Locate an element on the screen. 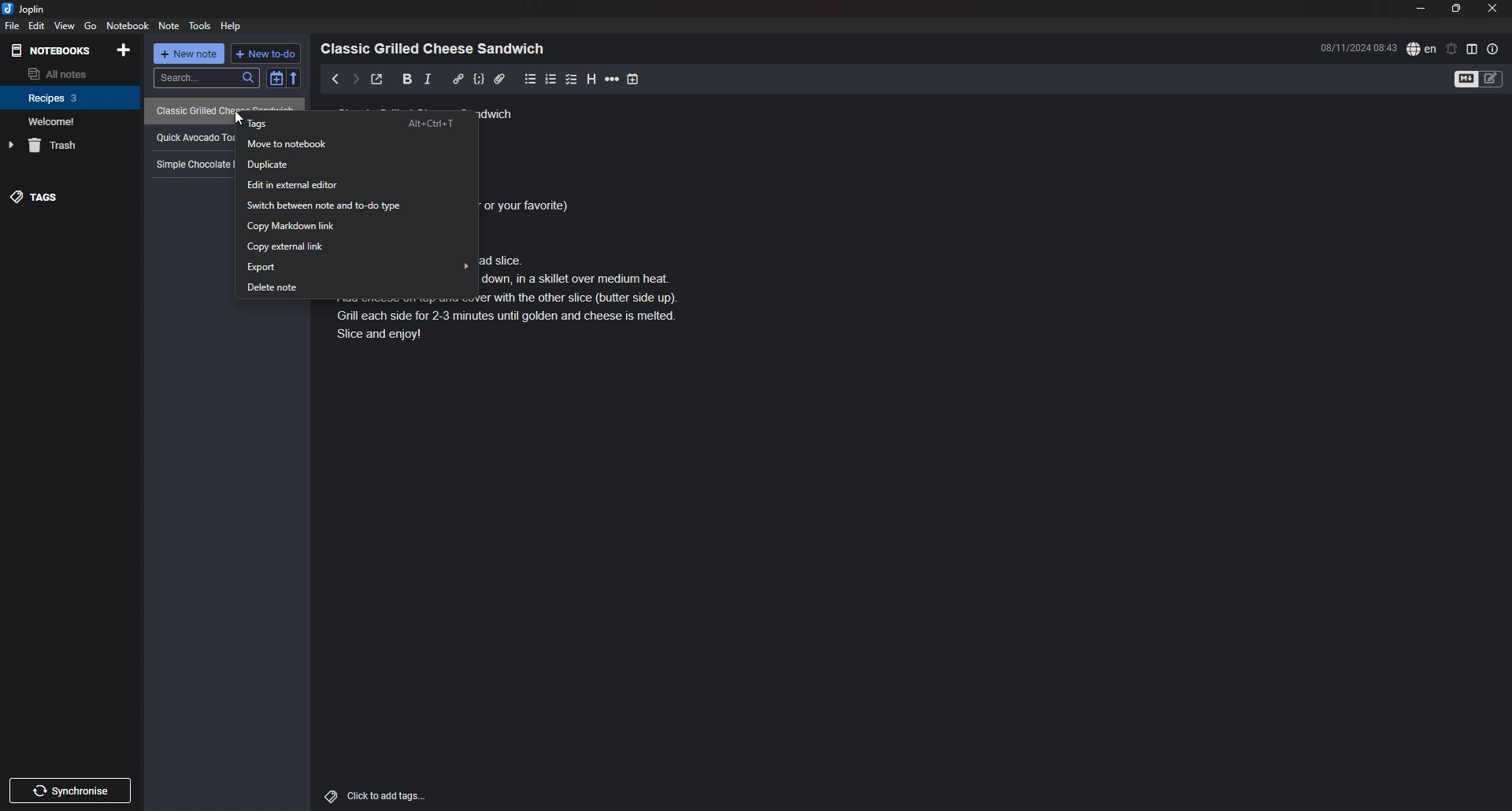 Image resolution: width=1512 pixels, height=811 pixels. toggle editor is located at coordinates (1479, 80).